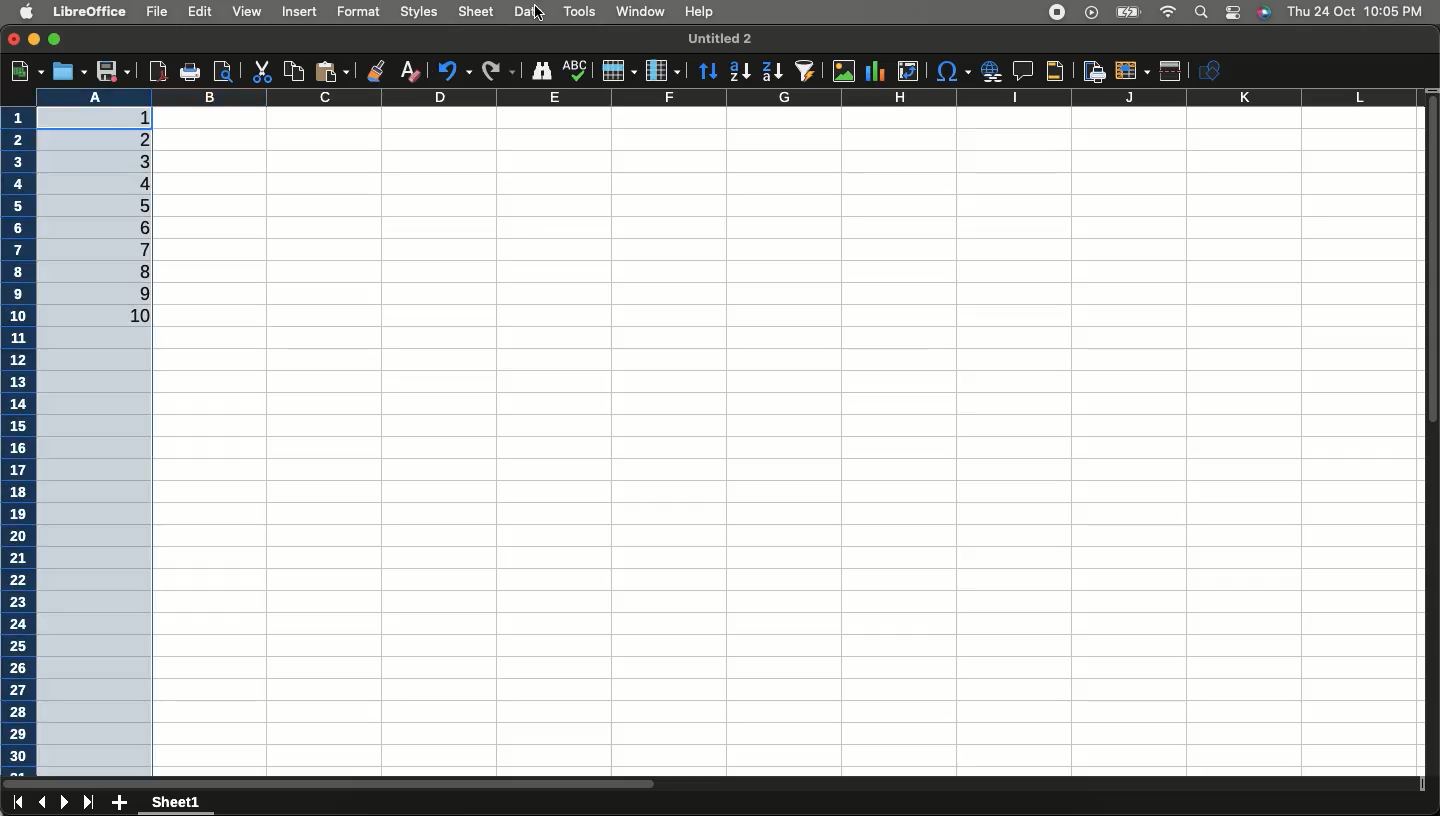 This screenshot has height=816, width=1440. Describe the element at coordinates (504, 779) in the screenshot. I see ` Horizontal Scroll bar` at that location.